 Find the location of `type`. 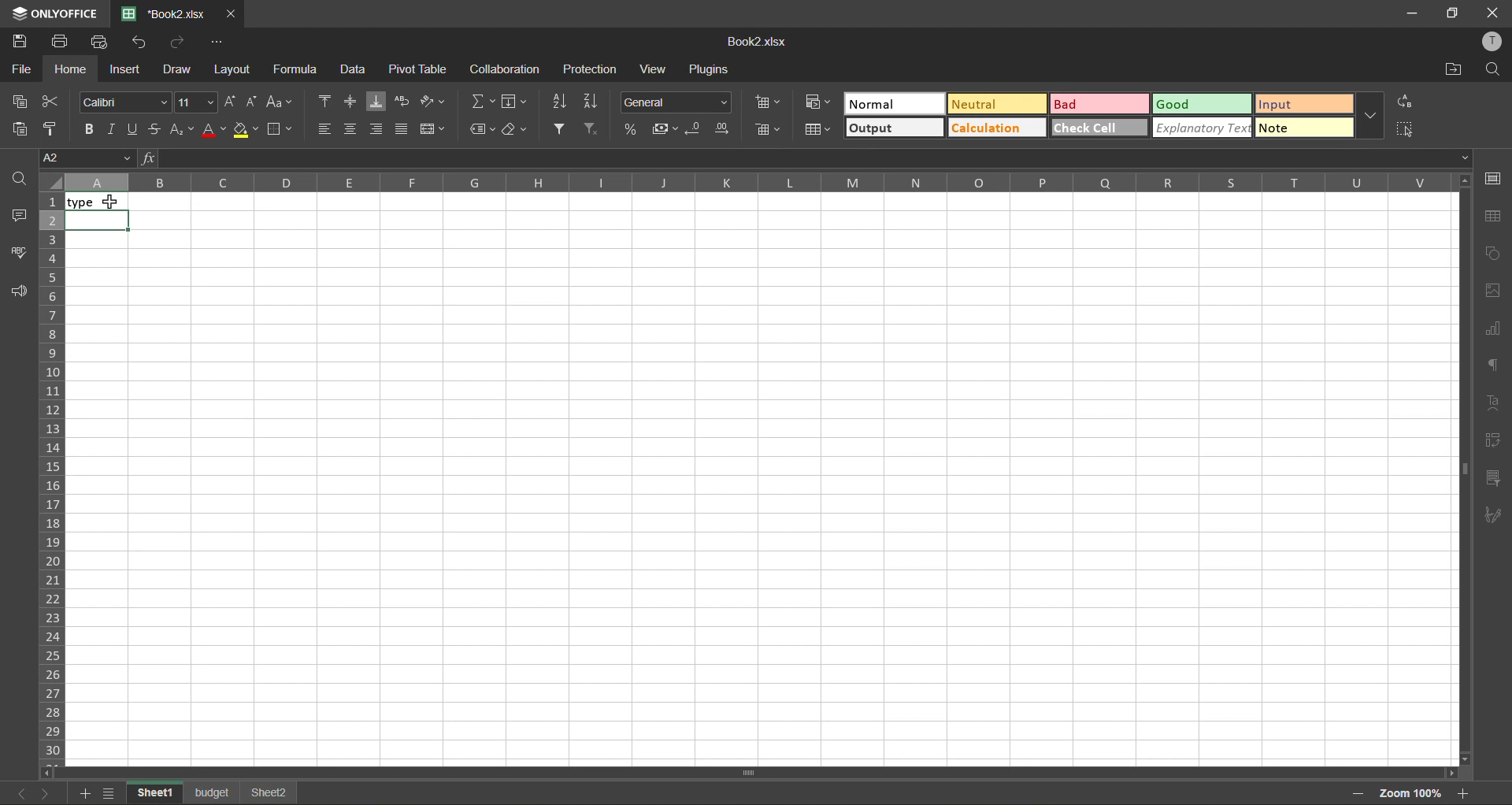

type is located at coordinates (96, 202).